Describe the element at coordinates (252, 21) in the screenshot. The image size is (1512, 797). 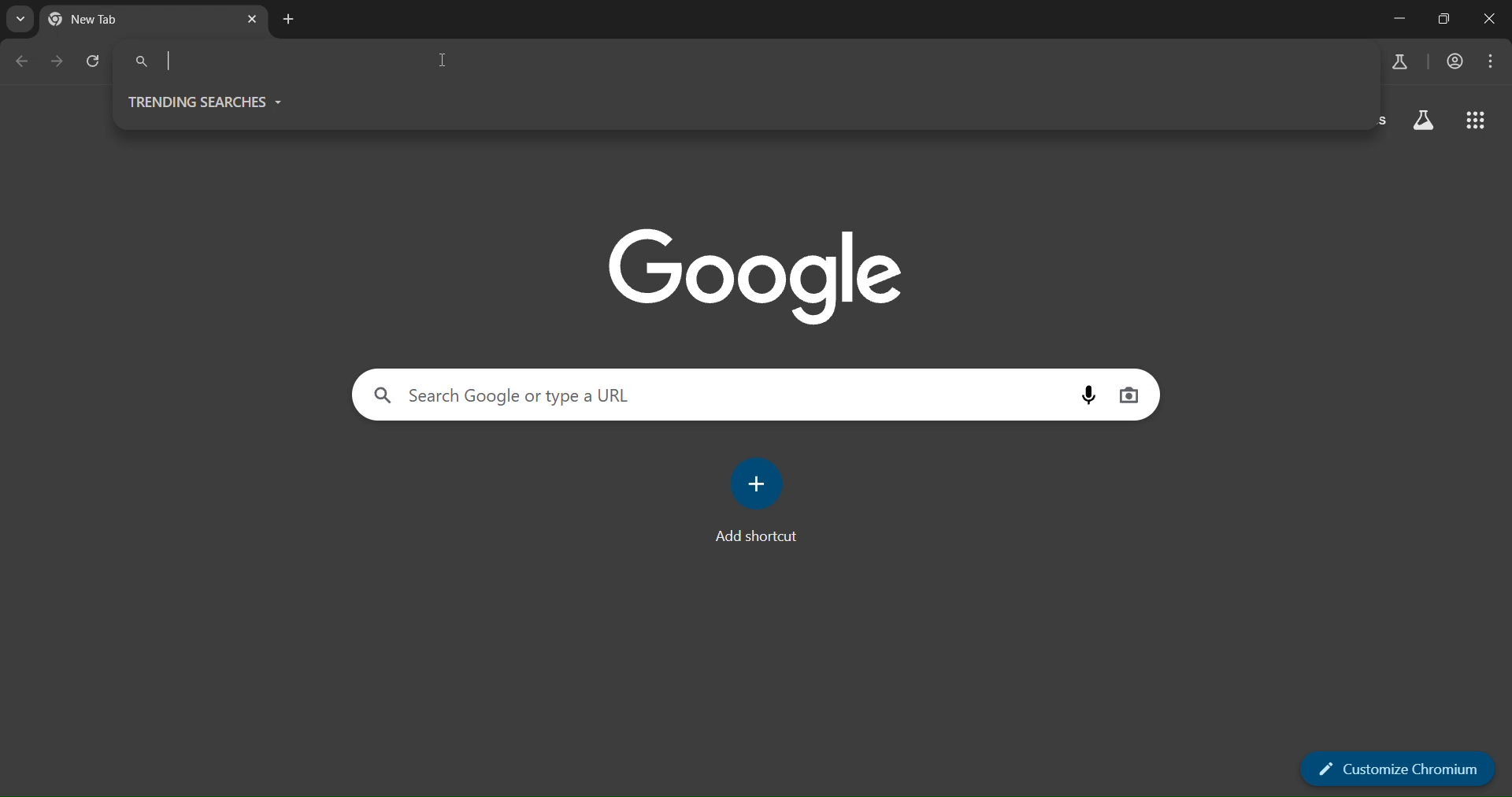
I see `close tab` at that location.